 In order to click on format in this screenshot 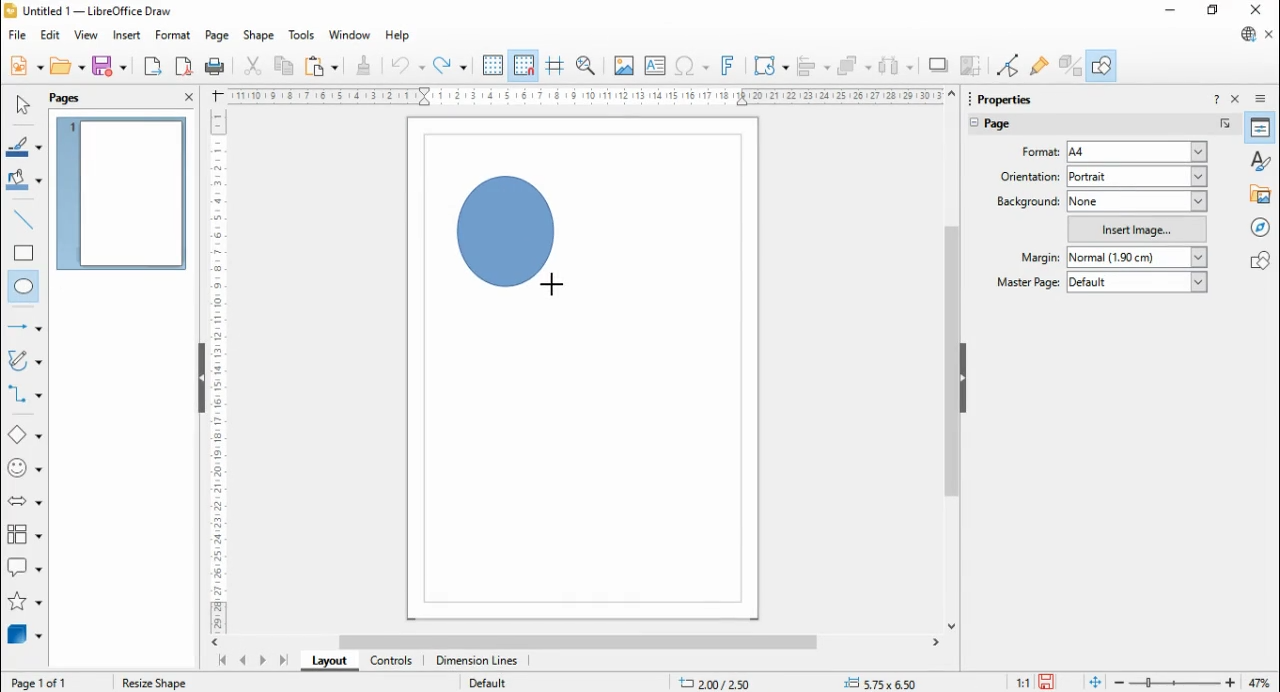, I will do `click(174, 36)`.